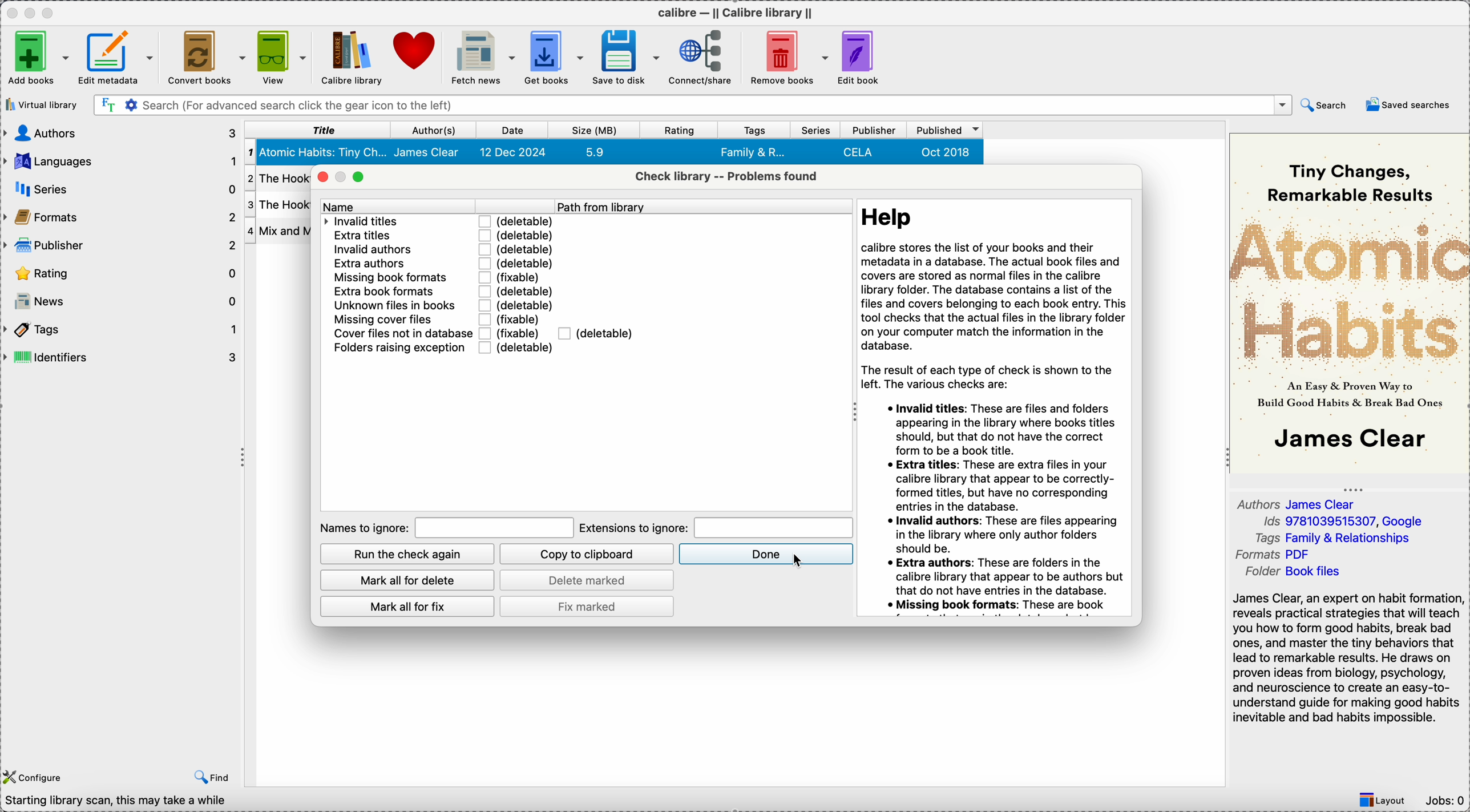 Image resolution: width=1470 pixels, height=812 pixels. Describe the element at coordinates (787, 57) in the screenshot. I see `remove books` at that location.